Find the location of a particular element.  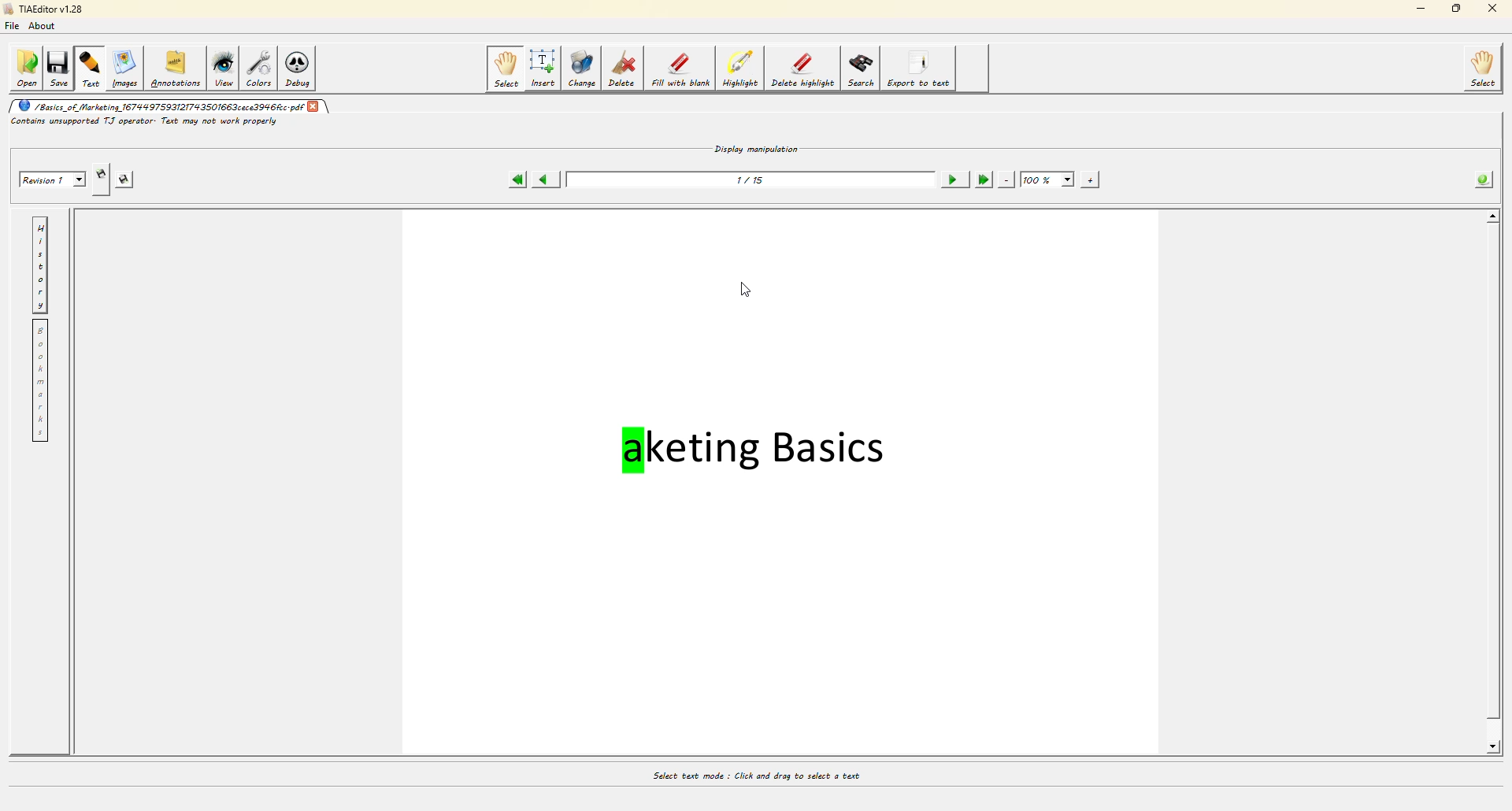

save this revision is located at coordinates (123, 177).